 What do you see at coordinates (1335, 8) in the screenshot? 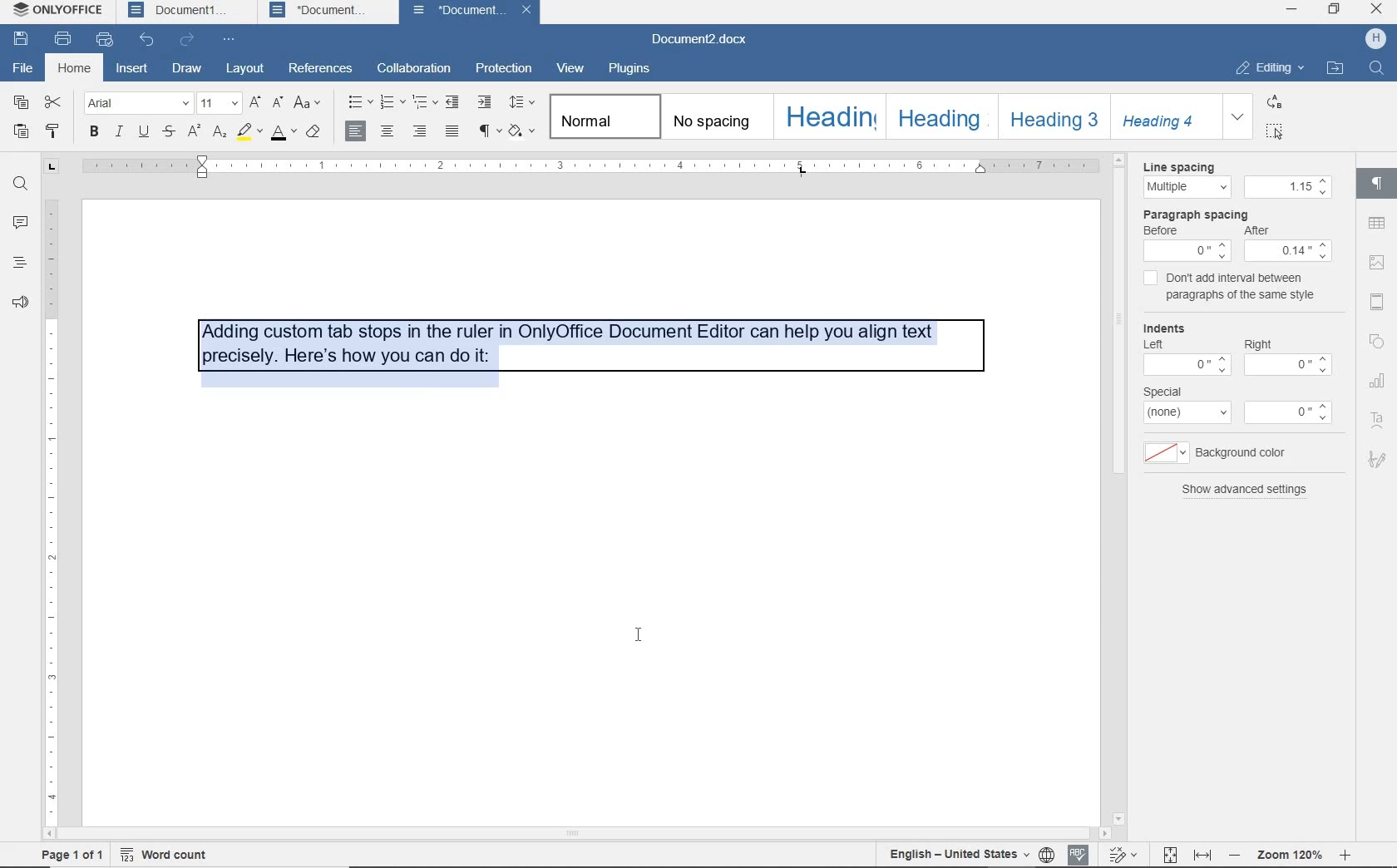
I see `restore down` at bounding box center [1335, 8].